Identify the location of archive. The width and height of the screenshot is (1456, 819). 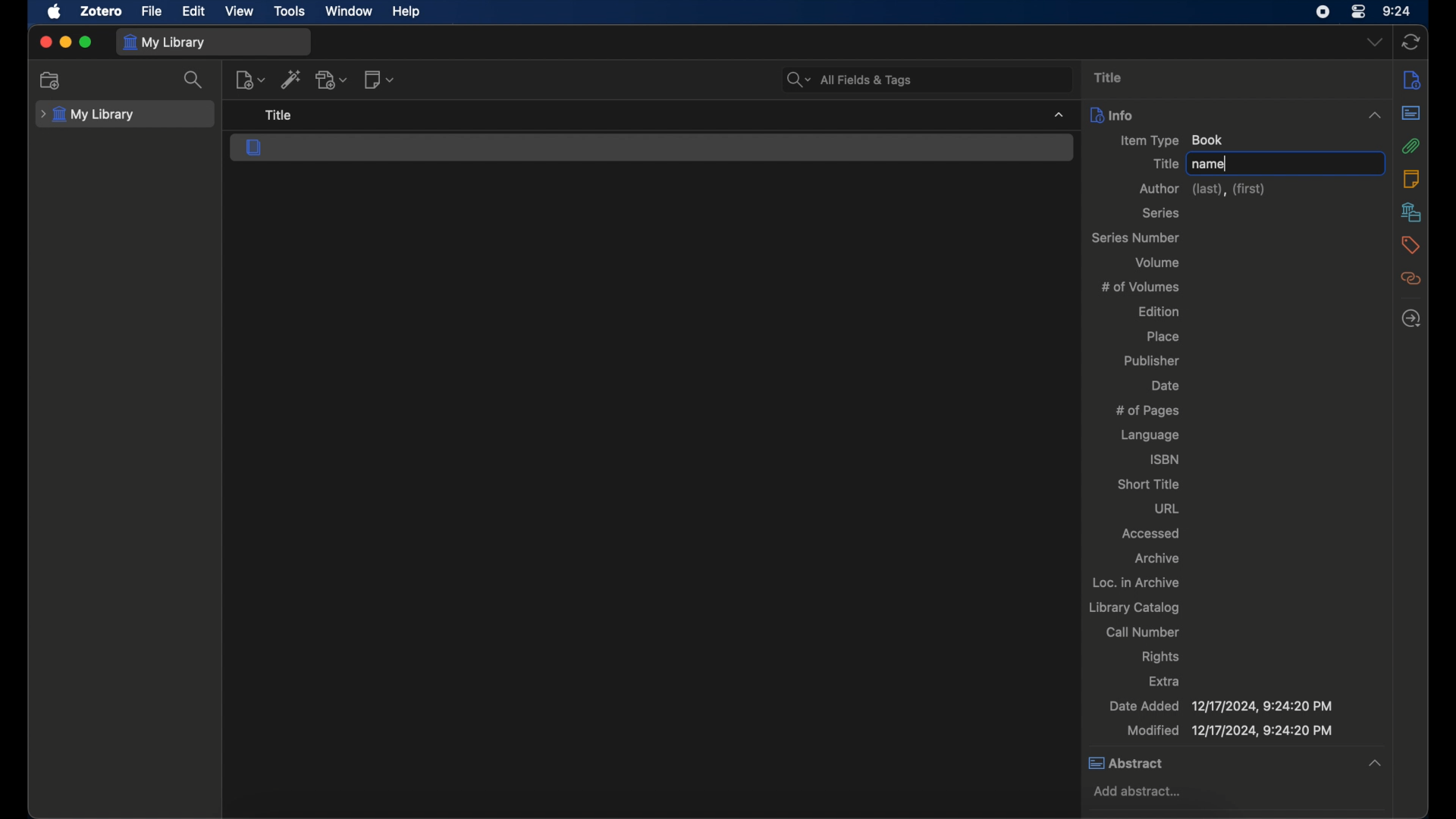
(1156, 557).